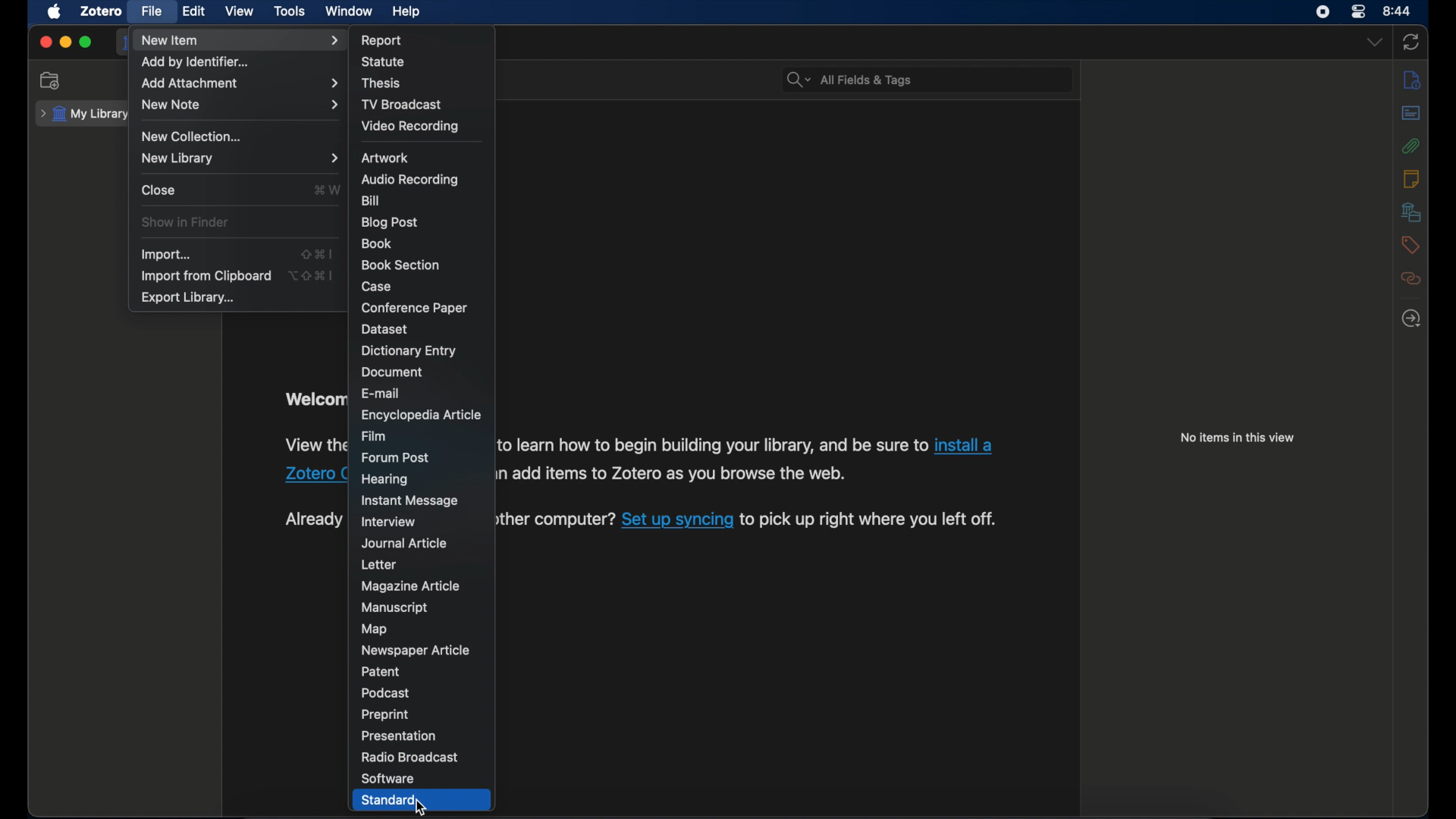 The width and height of the screenshot is (1456, 819). What do you see at coordinates (385, 329) in the screenshot?
I see `dataset` at bounding box center [385, 329].